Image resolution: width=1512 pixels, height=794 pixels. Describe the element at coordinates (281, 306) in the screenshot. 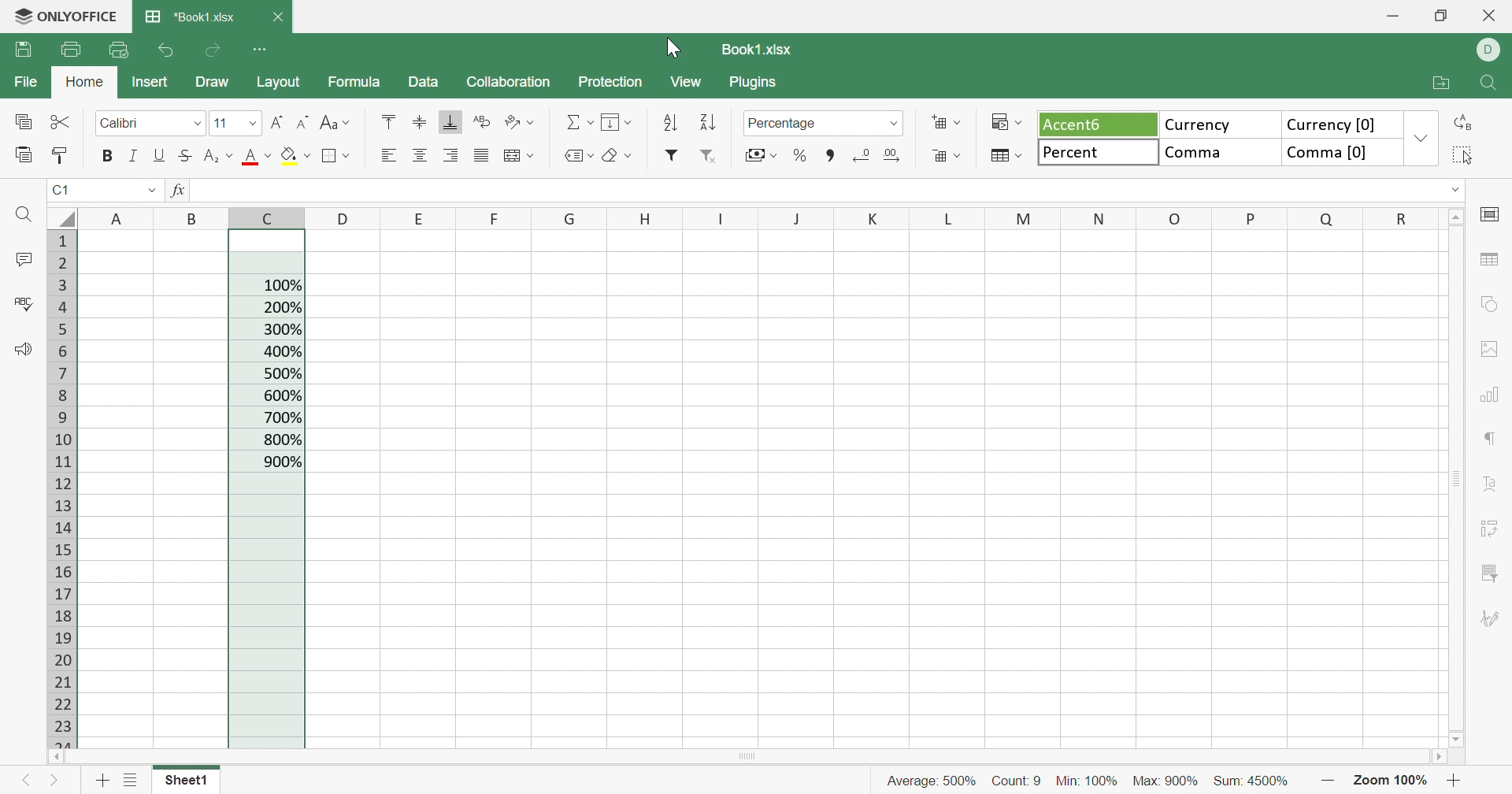

I see `200%` at that location.